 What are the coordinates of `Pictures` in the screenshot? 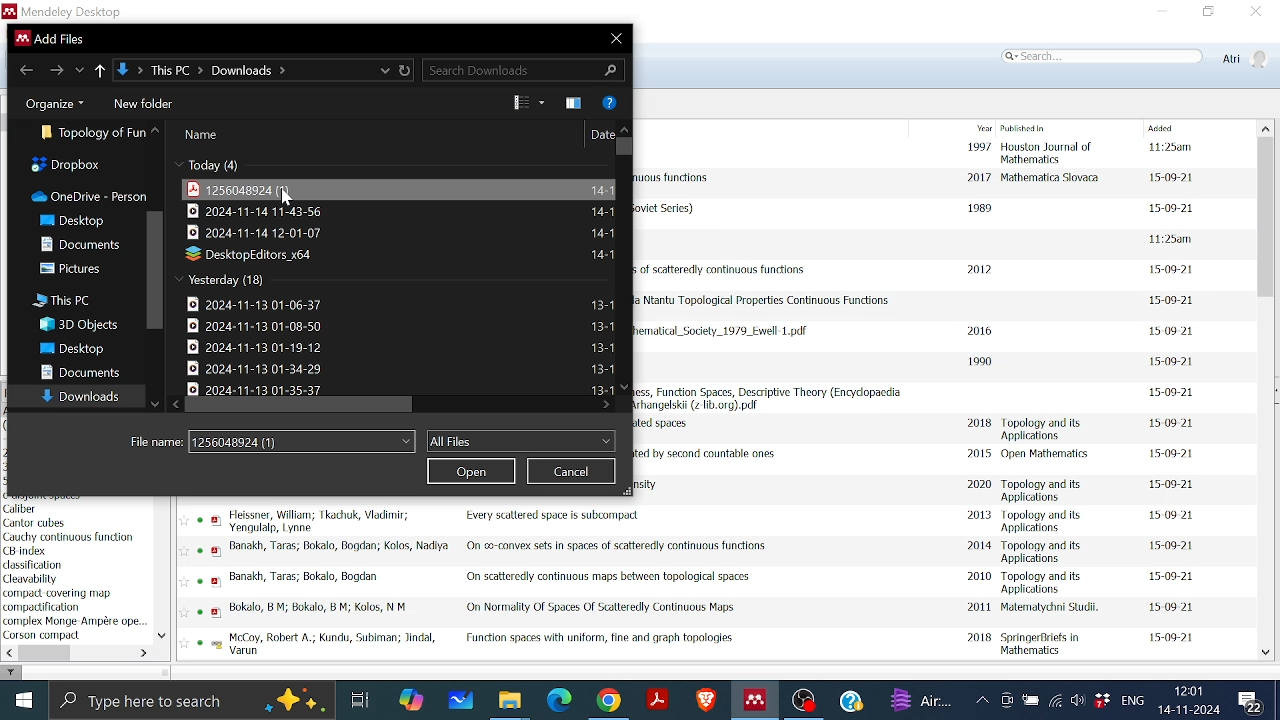 It's located at (68, 269).